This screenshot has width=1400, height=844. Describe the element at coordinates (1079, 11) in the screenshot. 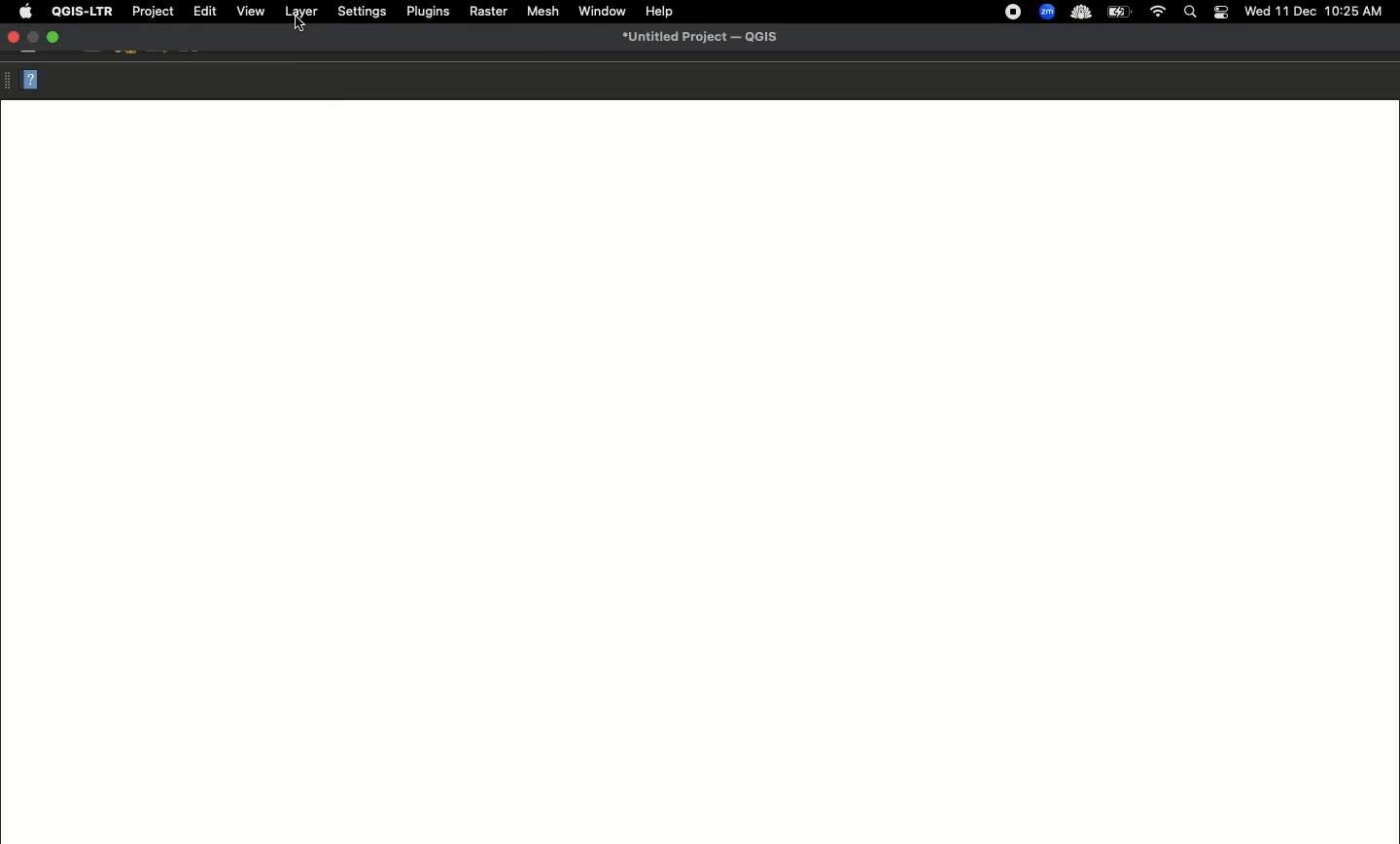

I see `cloud` at that location.